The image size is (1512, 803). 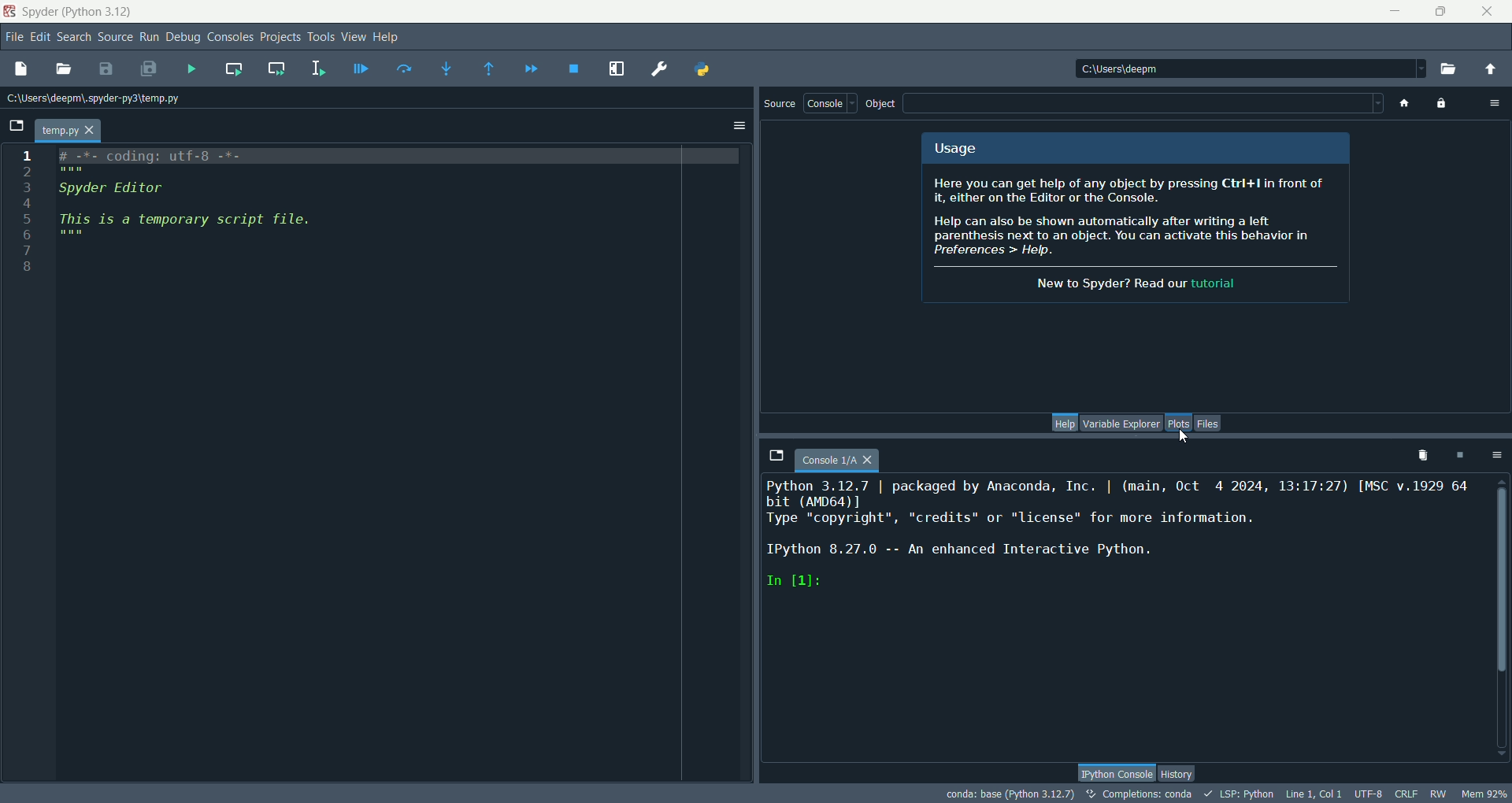 What do you see at coordinates (1419, 458) in the screenshot?
I see `remove` at bounding box center [1419, 458].